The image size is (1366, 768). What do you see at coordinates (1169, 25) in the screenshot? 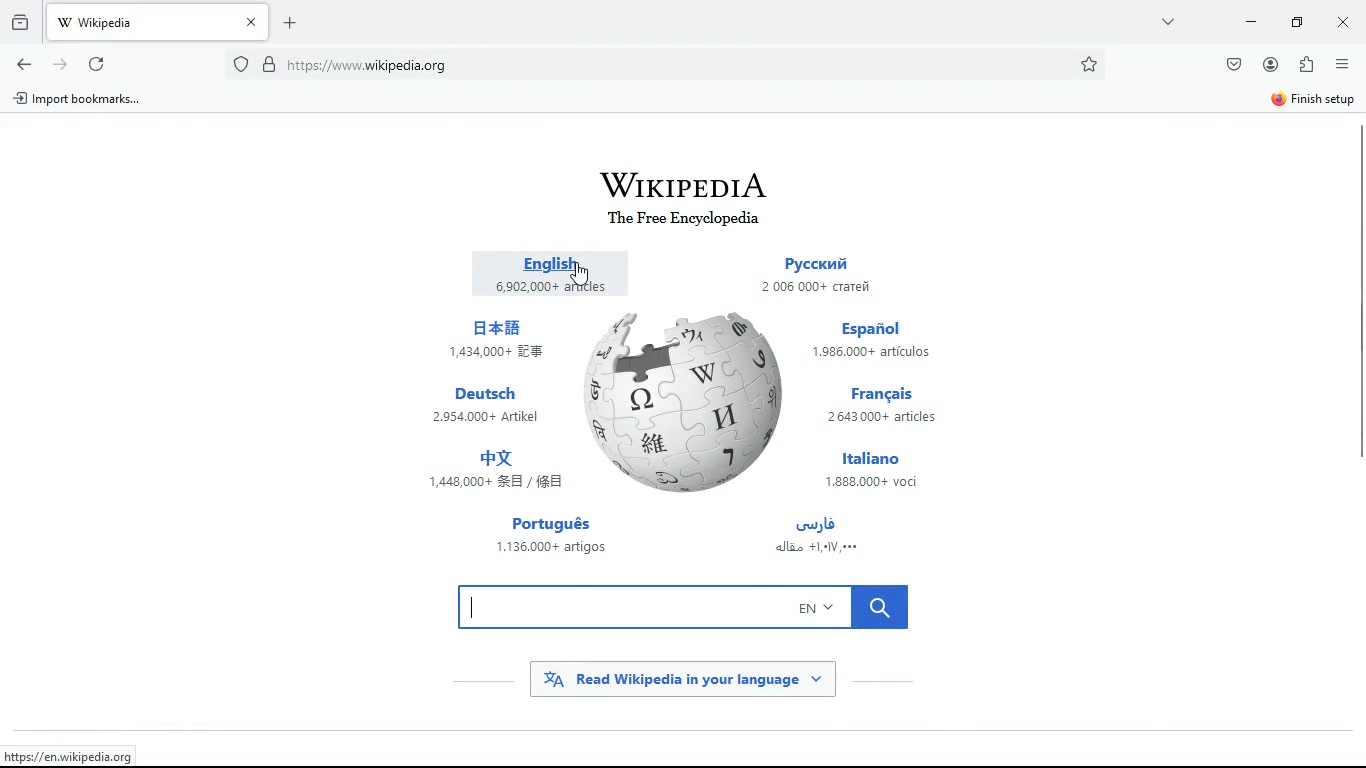
I see `view` at bounding box center [1169, 25].